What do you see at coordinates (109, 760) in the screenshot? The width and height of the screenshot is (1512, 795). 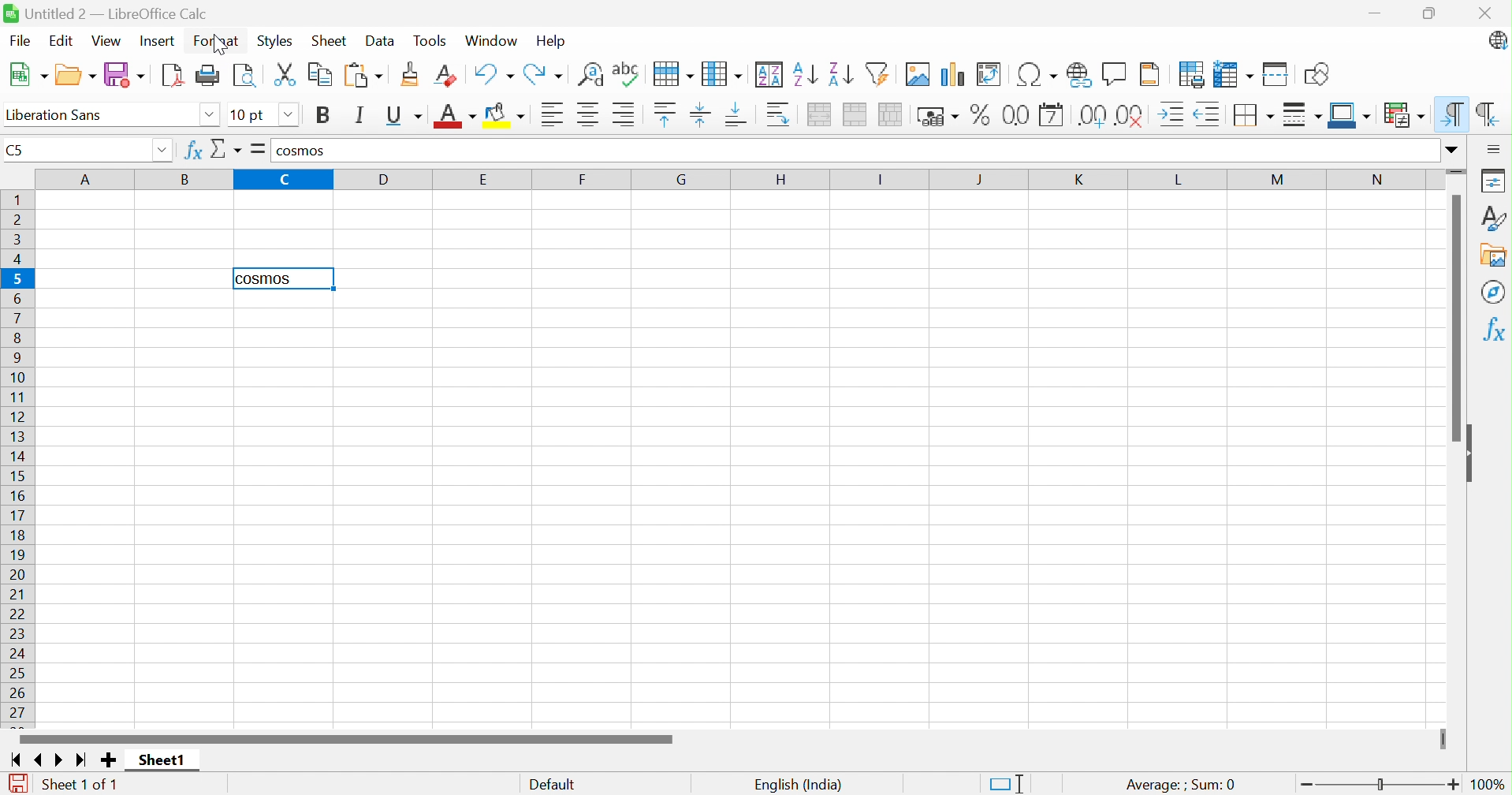 I see `Add new sheet` at bounding box center [109, 760].